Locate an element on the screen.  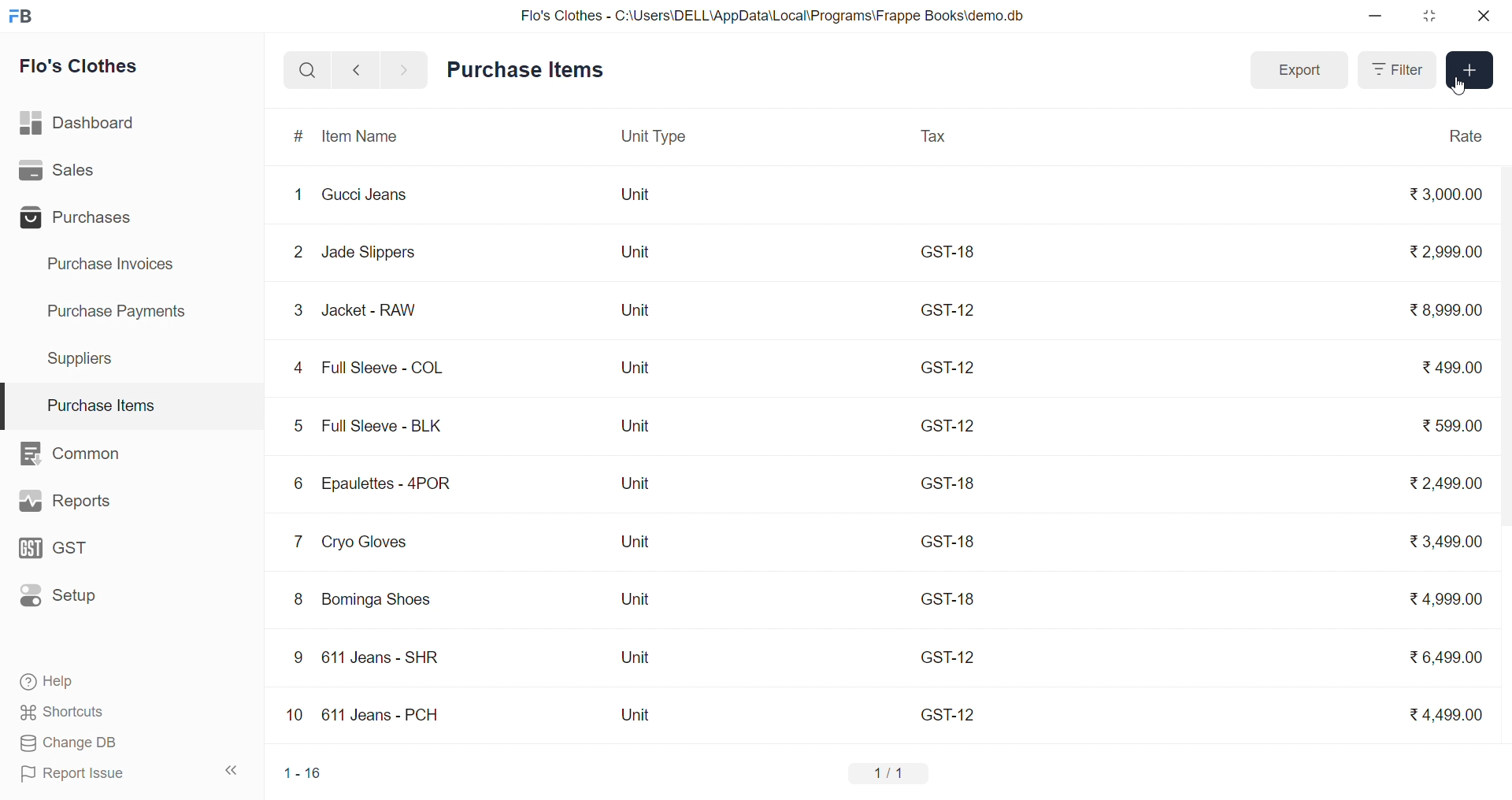
2 is located at coordinates (298, 251).